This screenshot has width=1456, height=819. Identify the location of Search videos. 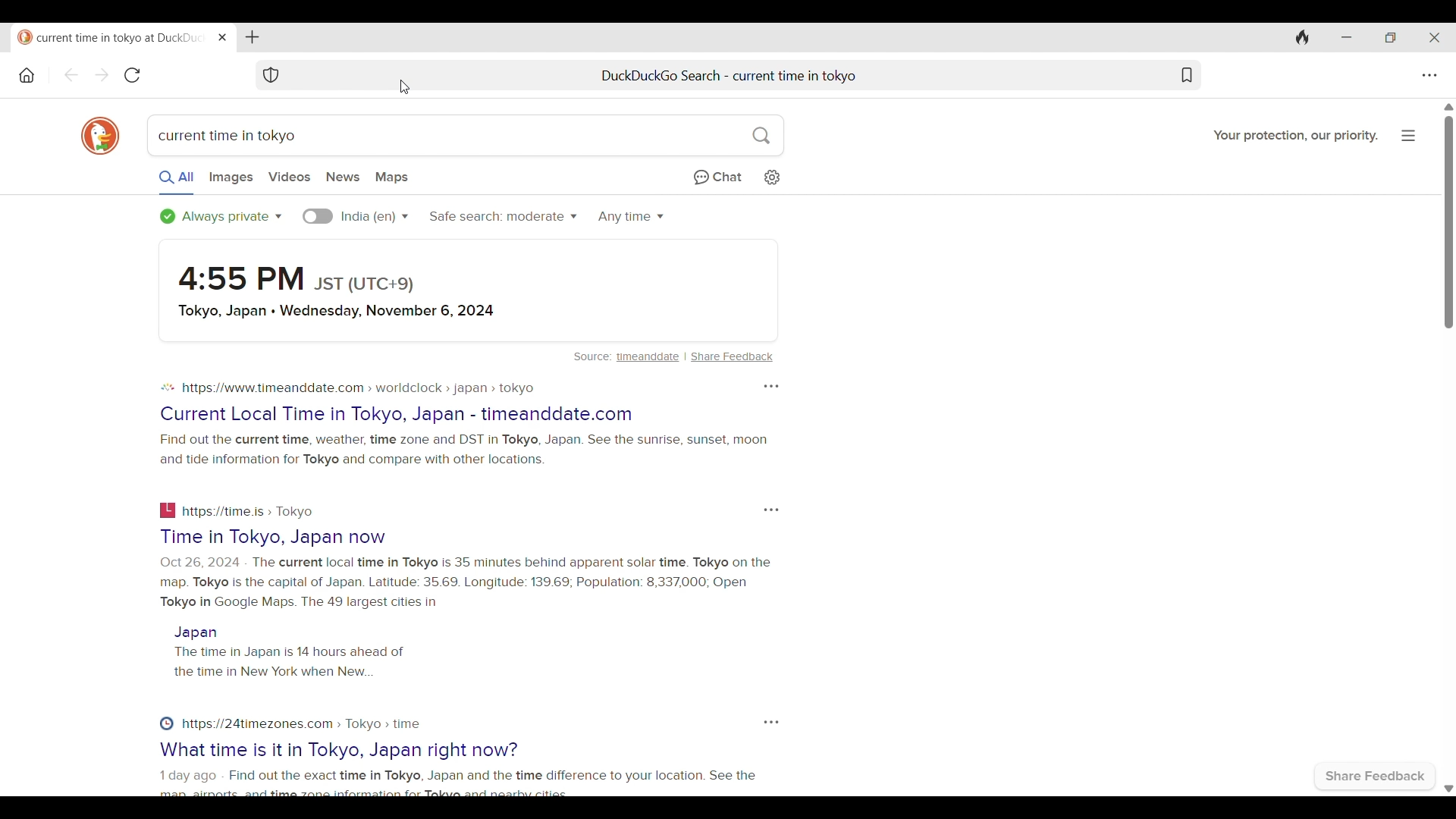
(289, 177).